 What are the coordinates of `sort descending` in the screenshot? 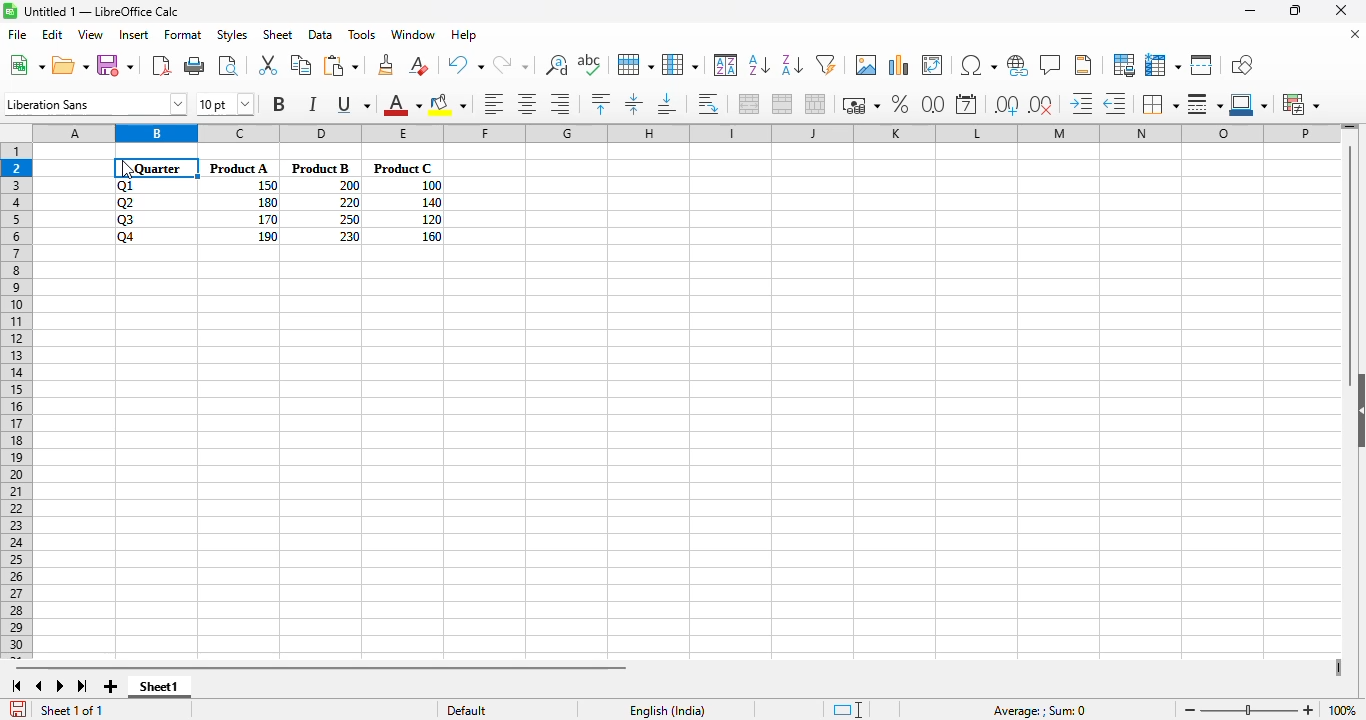 It's located at (793, 65).